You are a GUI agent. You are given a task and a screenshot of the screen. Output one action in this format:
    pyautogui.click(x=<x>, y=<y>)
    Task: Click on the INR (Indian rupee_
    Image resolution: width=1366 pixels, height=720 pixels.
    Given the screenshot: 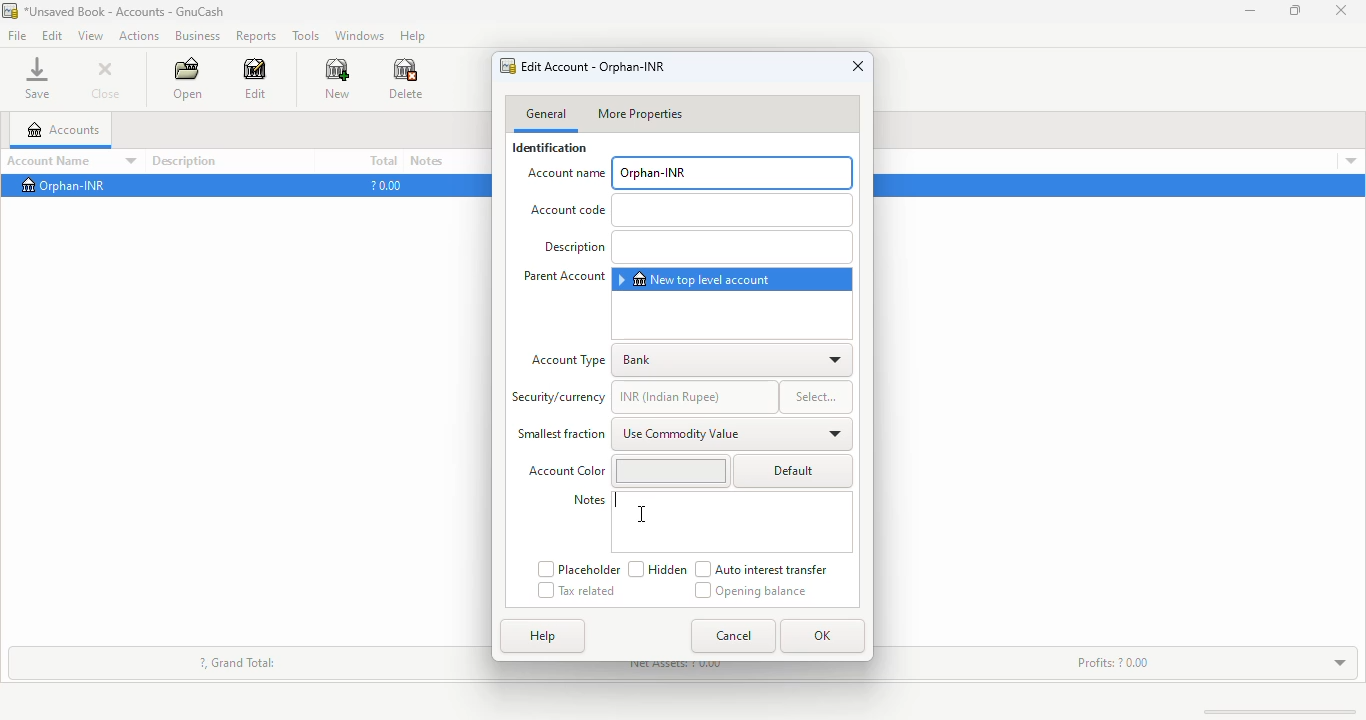 What is the action you would take?
    pyautogui.click(x=693, y=395)
    